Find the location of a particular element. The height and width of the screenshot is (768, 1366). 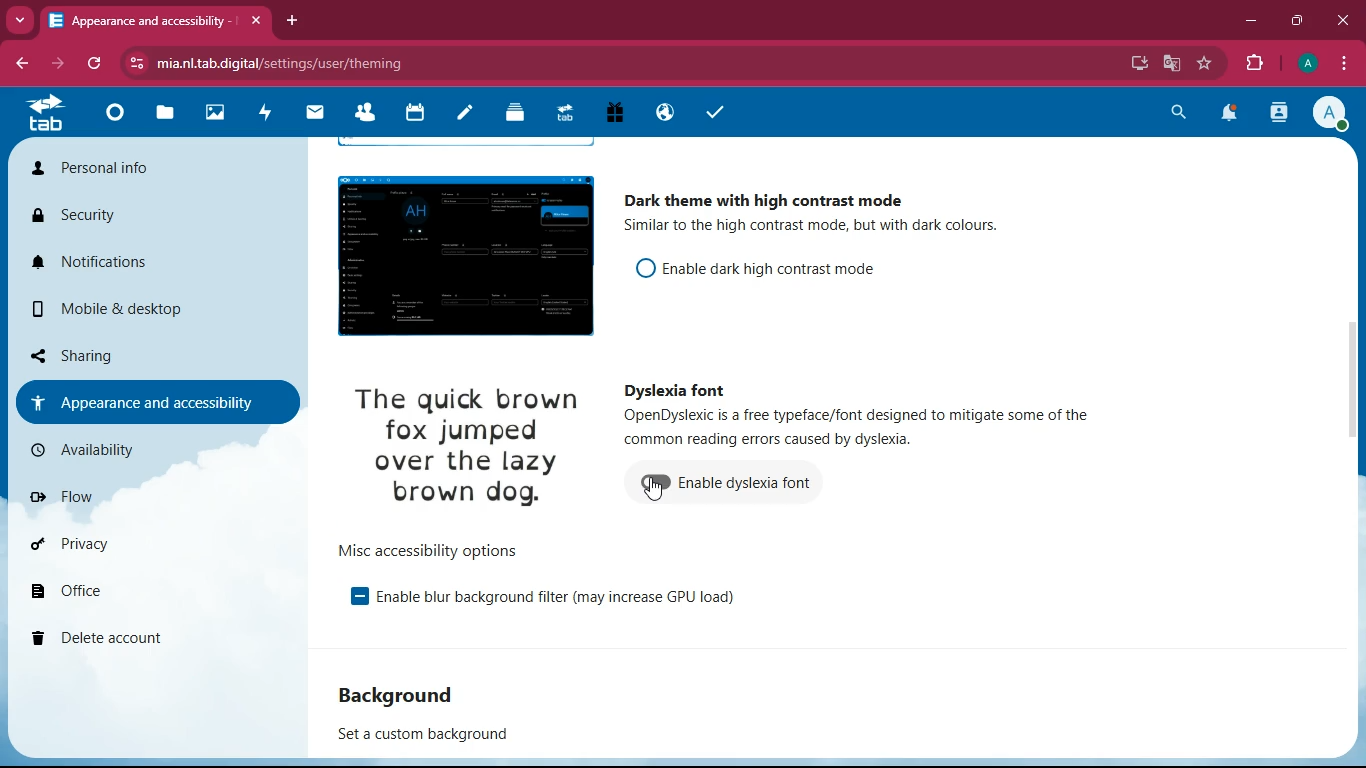

profile is located at coordinates (1307, 63).